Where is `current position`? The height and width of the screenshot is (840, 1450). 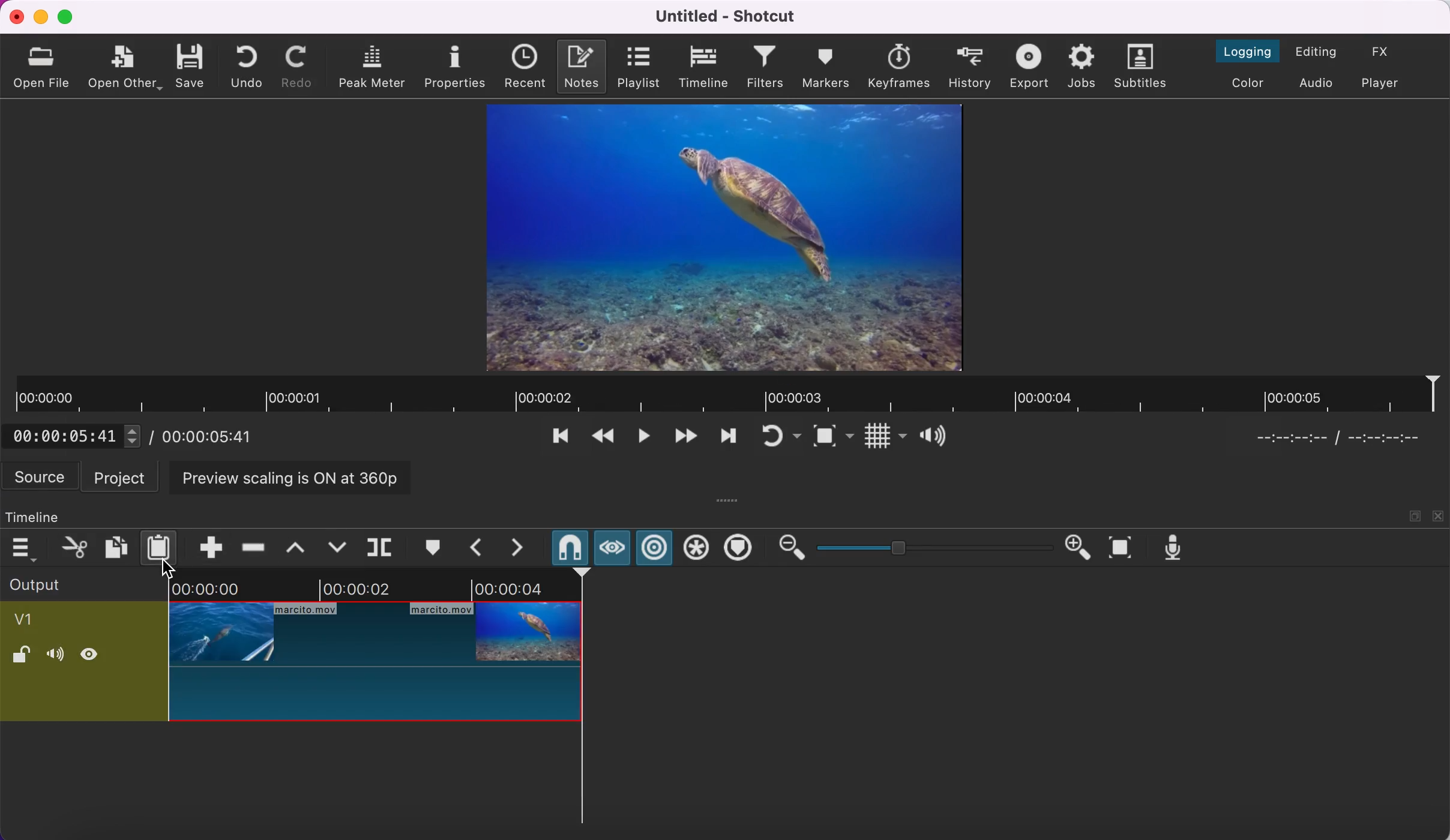 current position is located at coordinates (1287, 436).